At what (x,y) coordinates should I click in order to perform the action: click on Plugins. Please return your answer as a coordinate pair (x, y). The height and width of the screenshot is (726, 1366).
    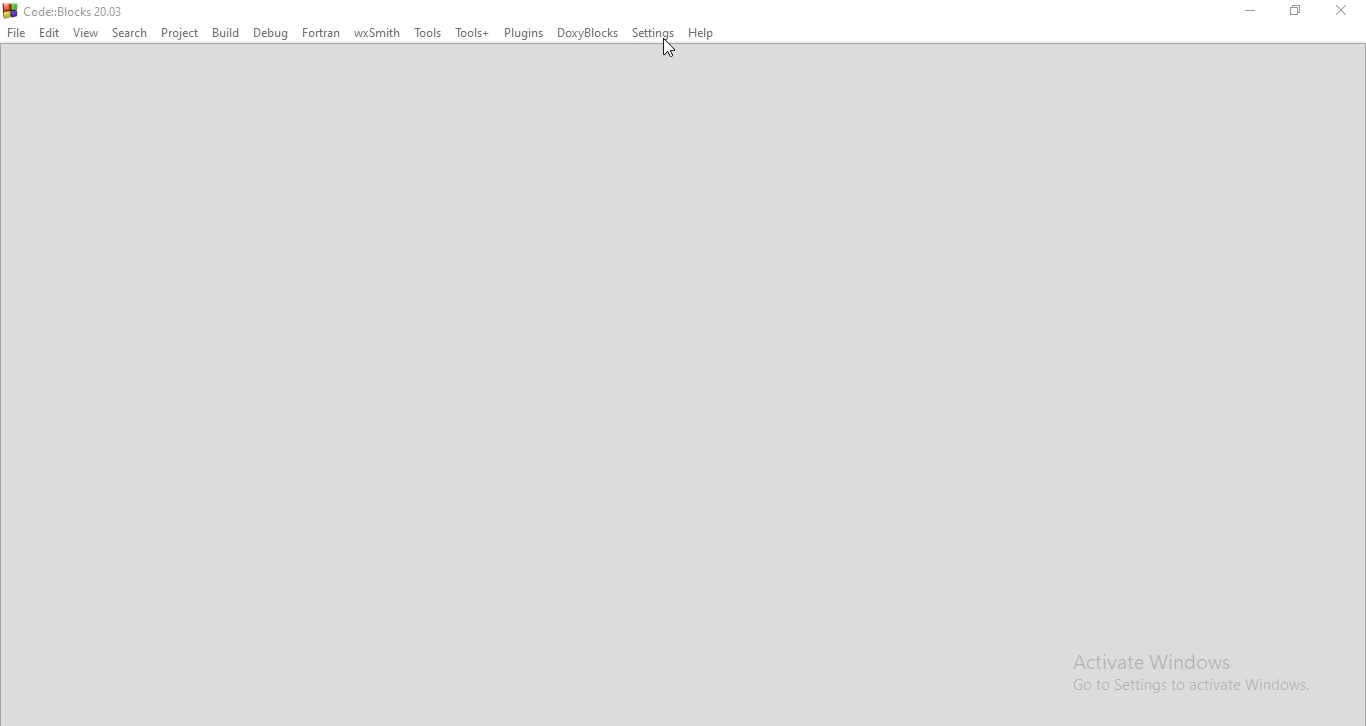
    Looking at the image, I should click on (524, 32).